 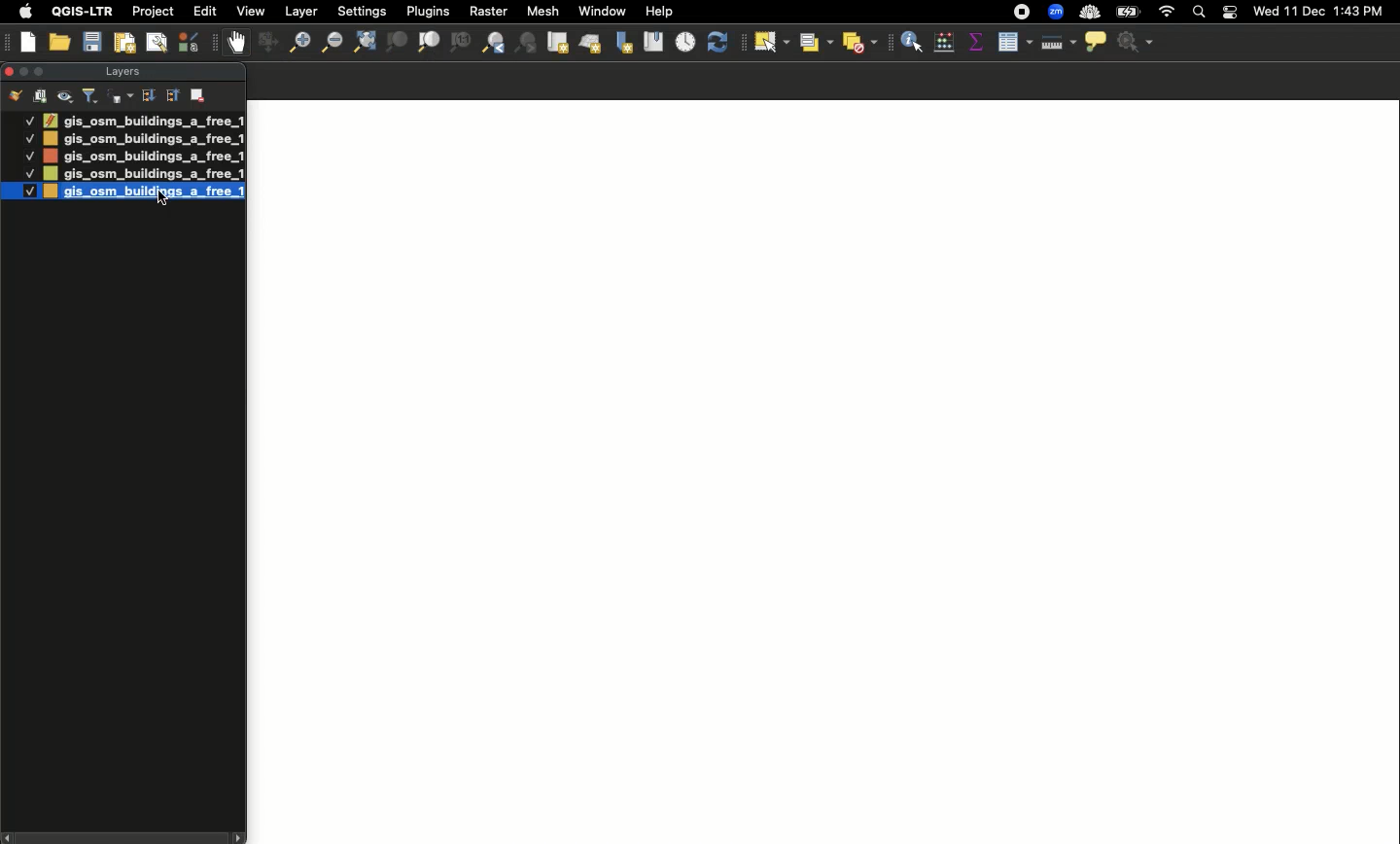 I want to click on Window, so click(x=602, y=11).